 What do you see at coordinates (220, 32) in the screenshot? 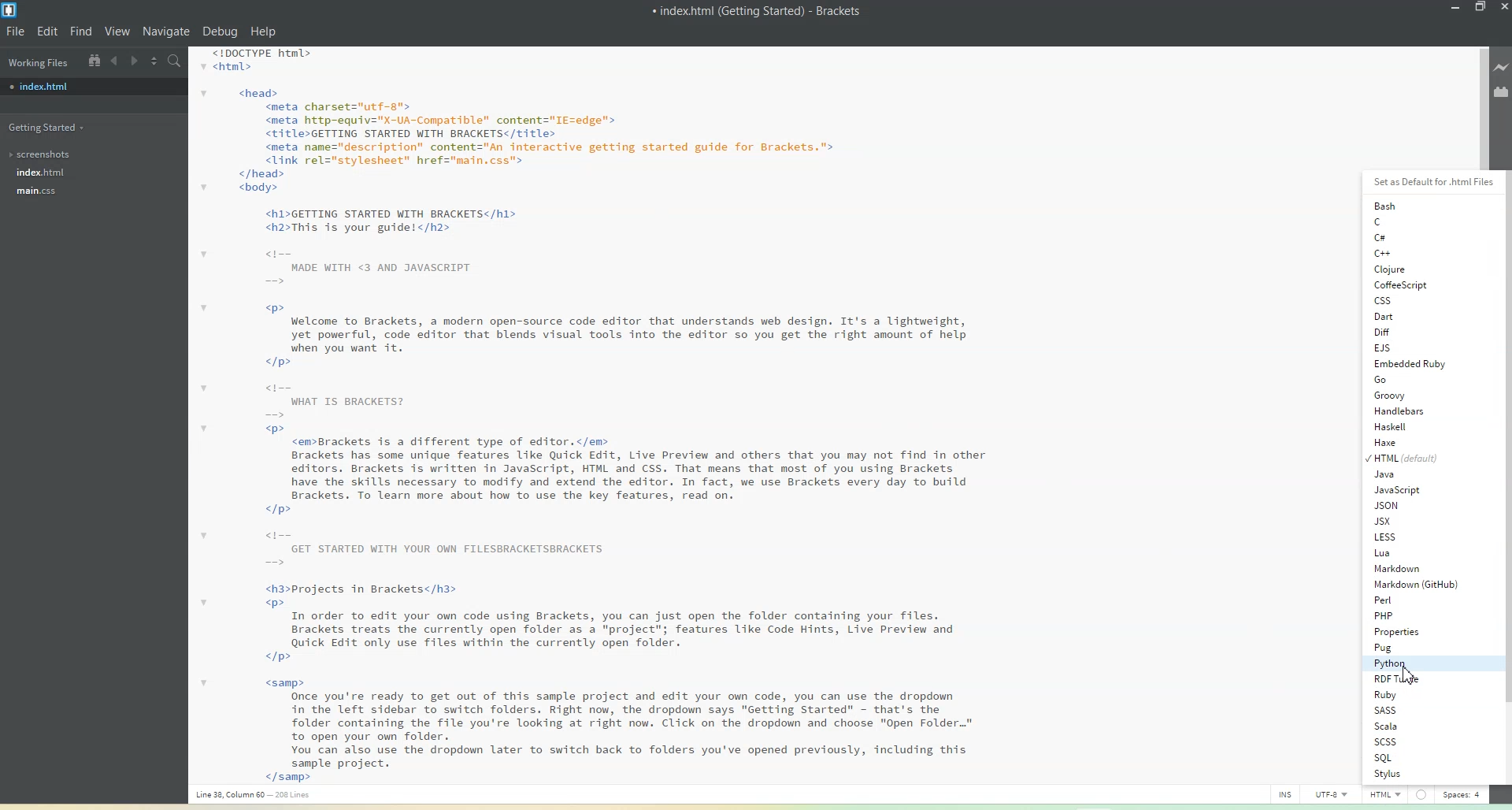
I see `Debug` at bounding box center [220, 32].